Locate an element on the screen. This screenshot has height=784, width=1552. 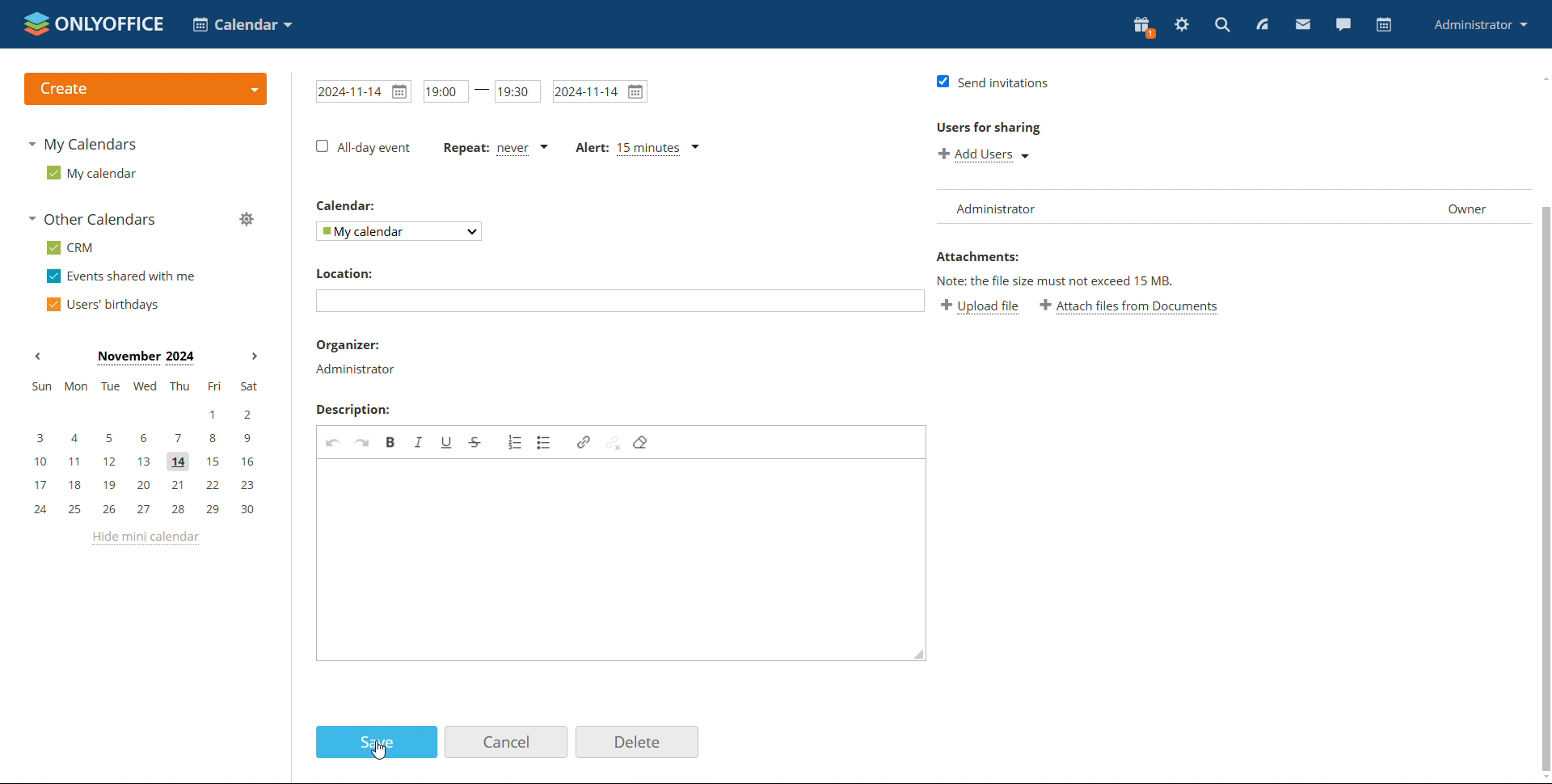
scroll up is located at coordinates (1542, 78).